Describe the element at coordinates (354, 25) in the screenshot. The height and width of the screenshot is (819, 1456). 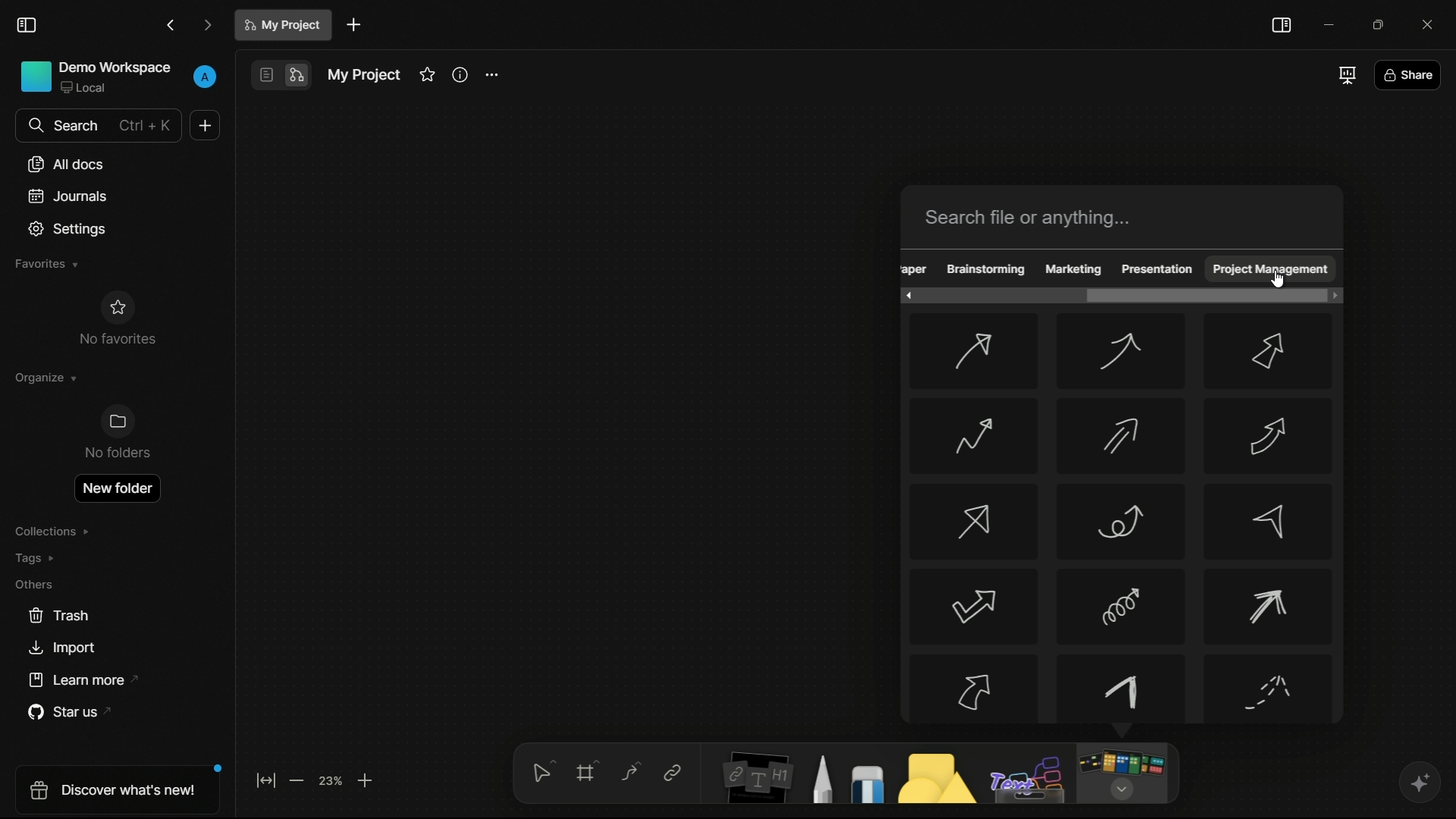
I see `new document` at that location.